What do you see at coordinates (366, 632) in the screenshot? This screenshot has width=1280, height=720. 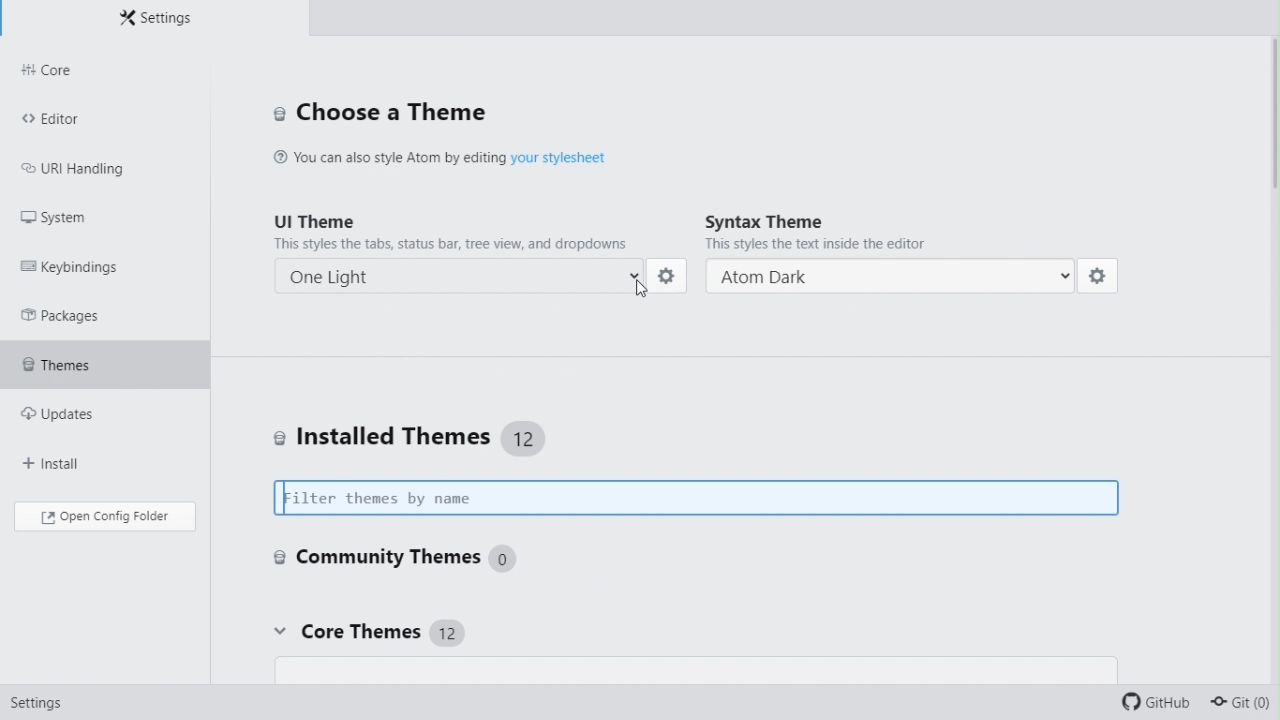 I see `Core themes` at bounding box center [366, 632].